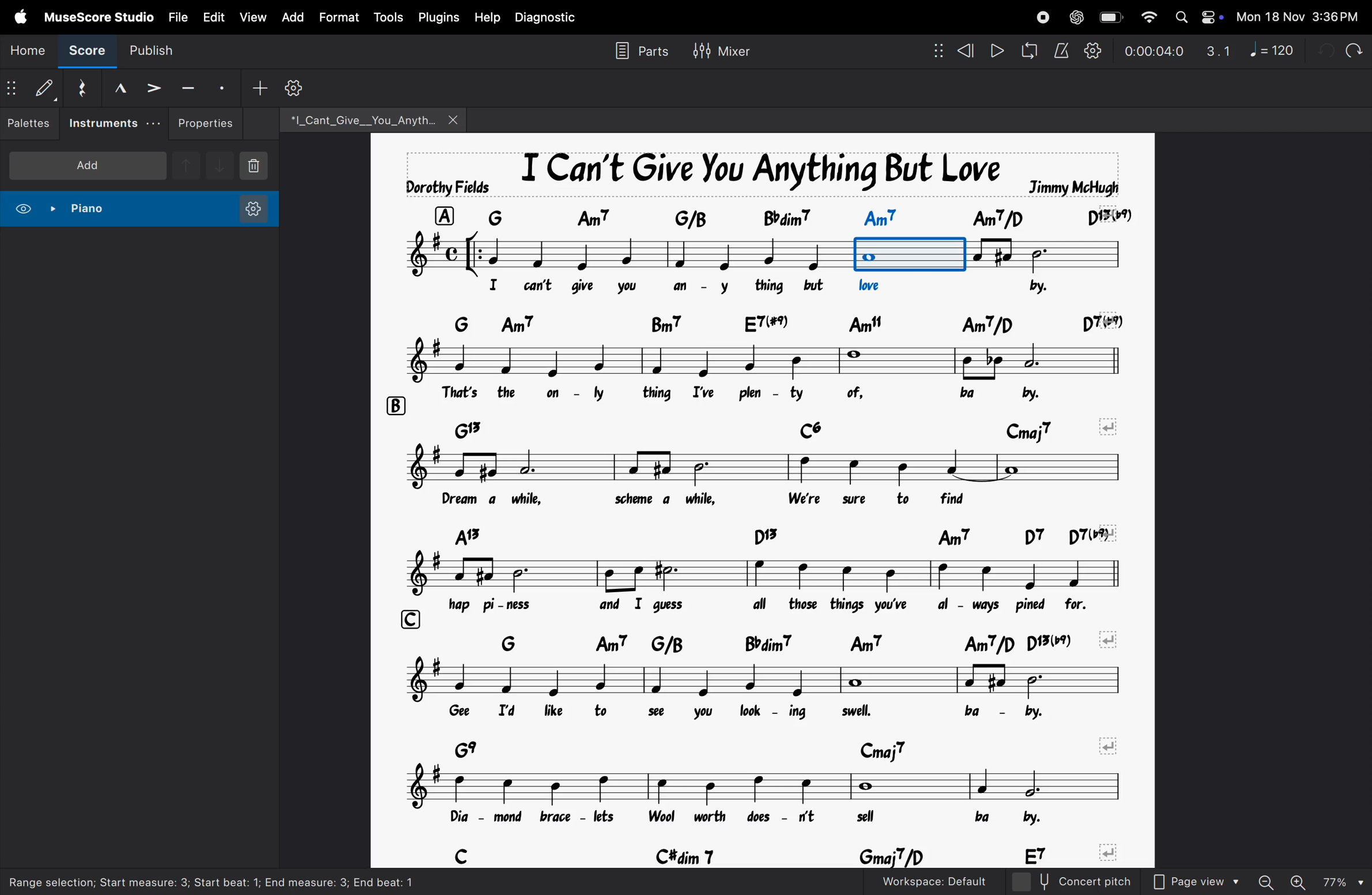  Describe the element at coordinates (1042, 17) in the screenshot. I see `record` at that location.